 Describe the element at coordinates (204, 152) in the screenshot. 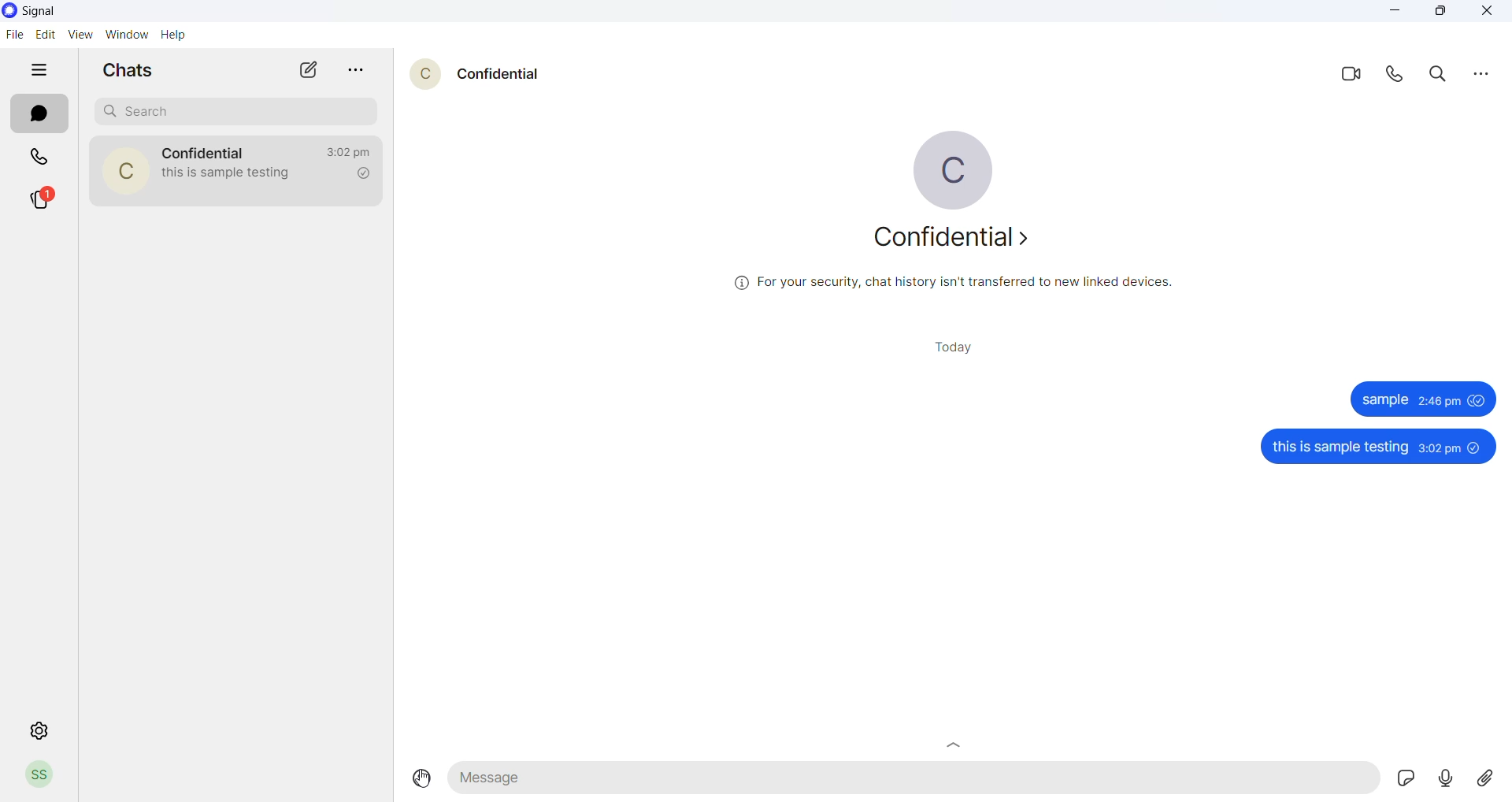

I see `contact name` at that location.